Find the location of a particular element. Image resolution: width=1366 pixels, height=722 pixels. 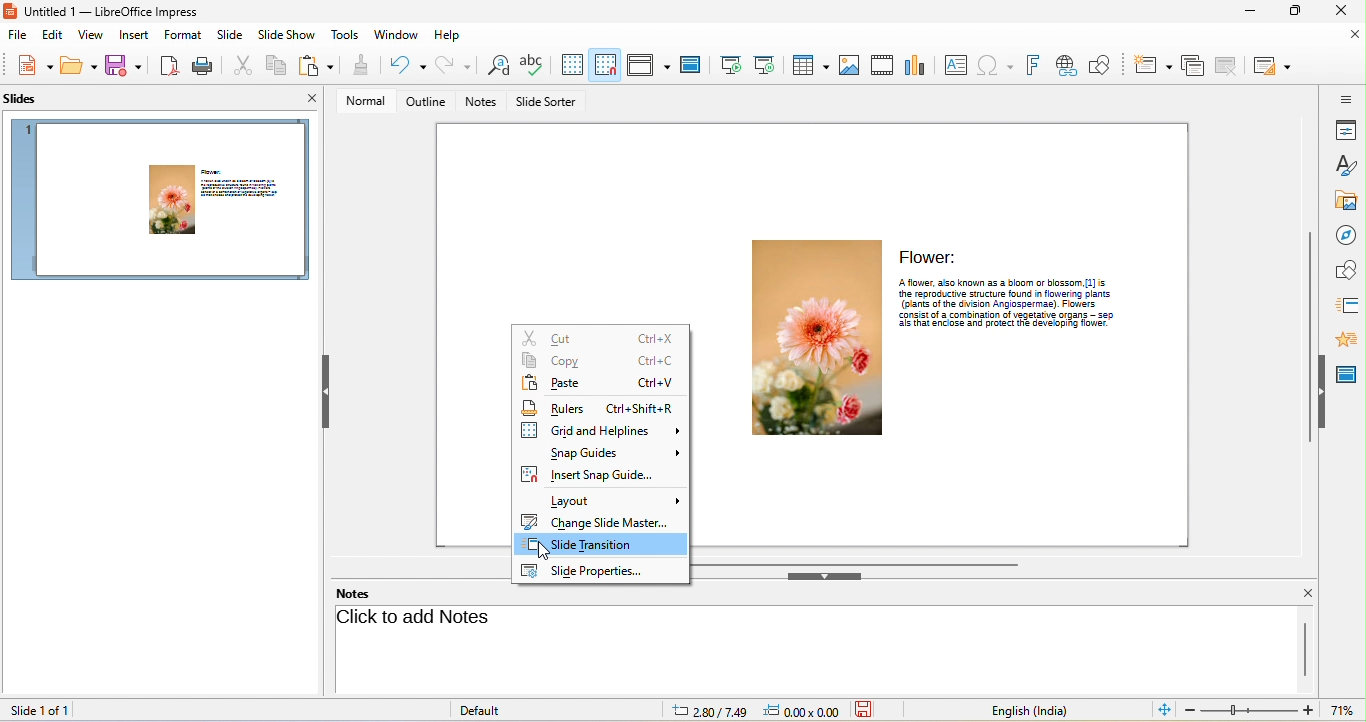

slide is located at coordinates (230, 36).